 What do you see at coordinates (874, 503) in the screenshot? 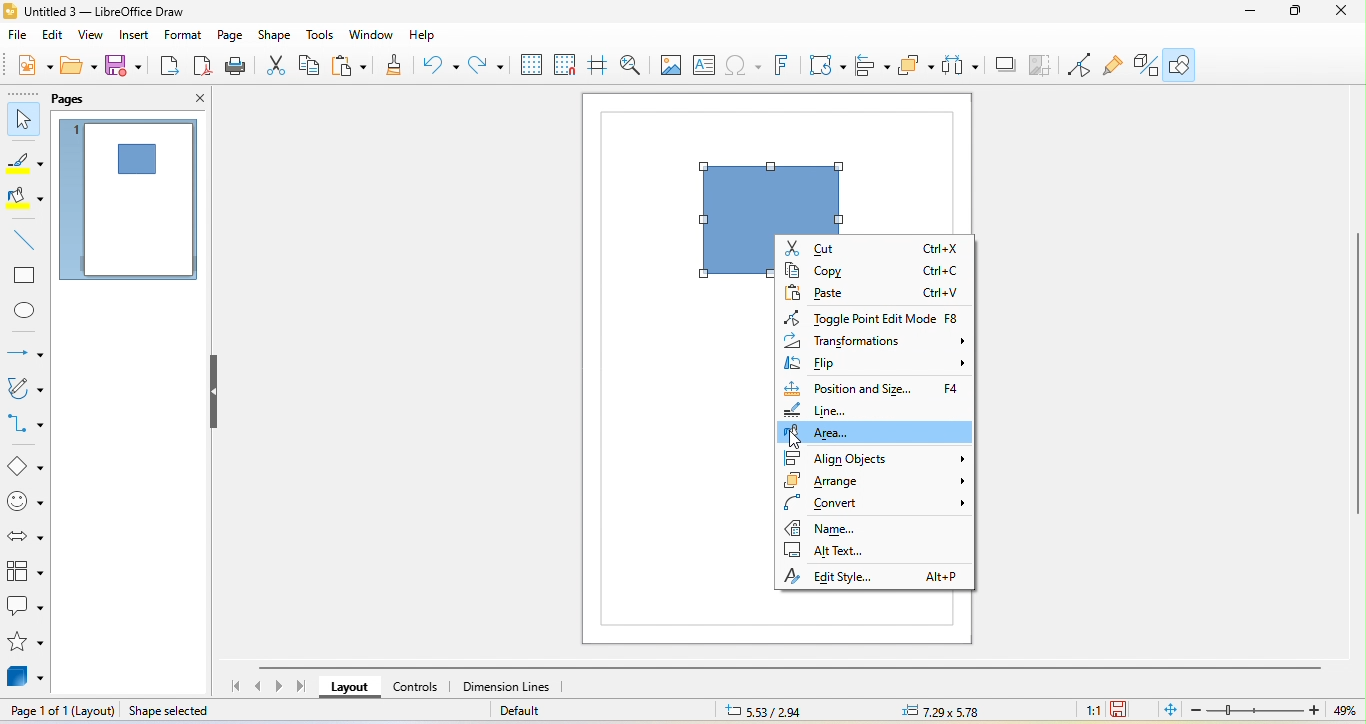
I see `convert` at bounding box center [874, 503].